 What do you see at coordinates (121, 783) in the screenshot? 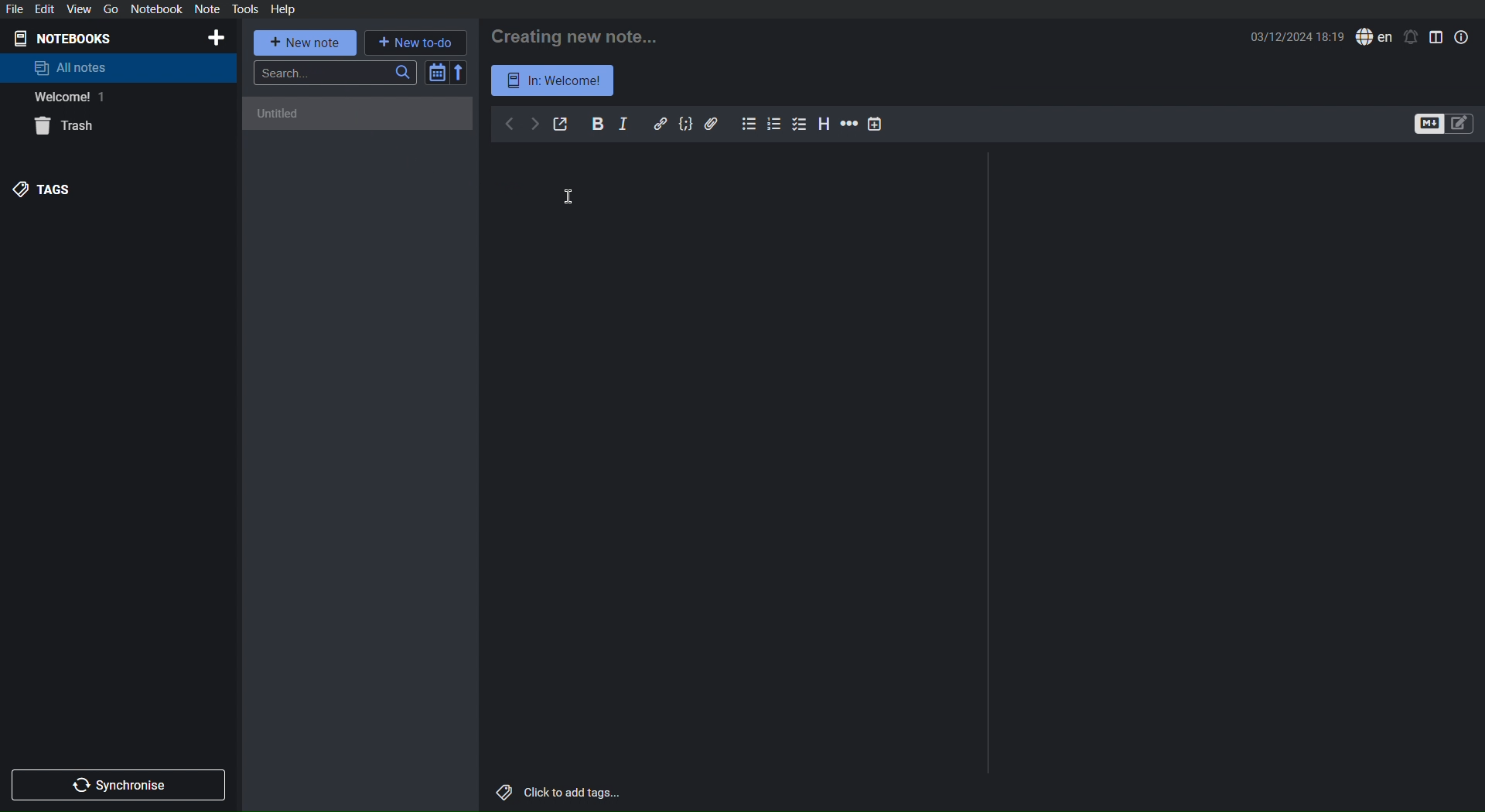
I see `Synchronize` at bounding box center [121, 783].